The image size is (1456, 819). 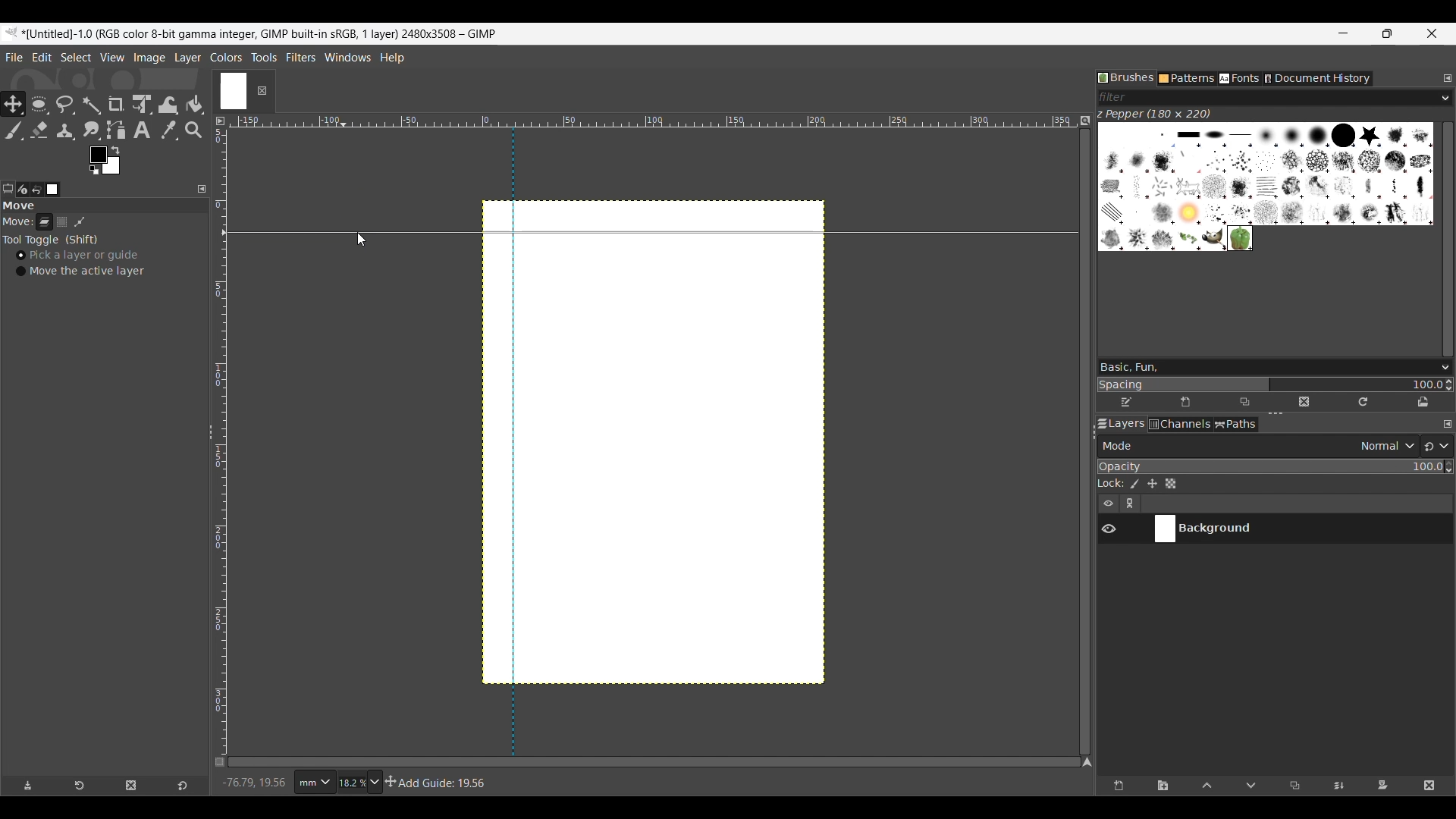 What do you see at coordinates (45, 224) in the screenshot?
I see `Layer` at bounding box center [45, 224].